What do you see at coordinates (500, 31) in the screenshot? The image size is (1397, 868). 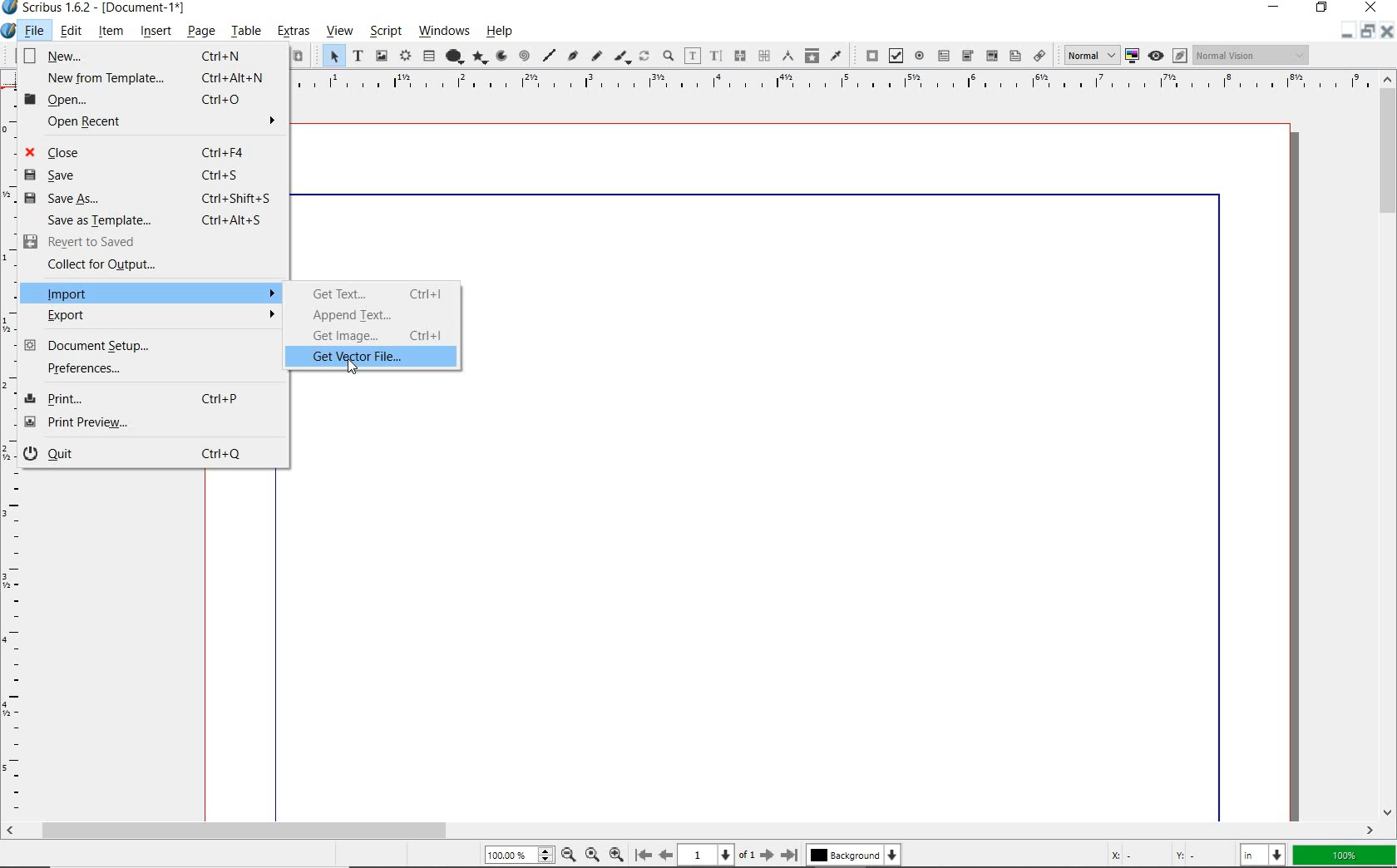 I see `help` at bounding box center [500, 31].